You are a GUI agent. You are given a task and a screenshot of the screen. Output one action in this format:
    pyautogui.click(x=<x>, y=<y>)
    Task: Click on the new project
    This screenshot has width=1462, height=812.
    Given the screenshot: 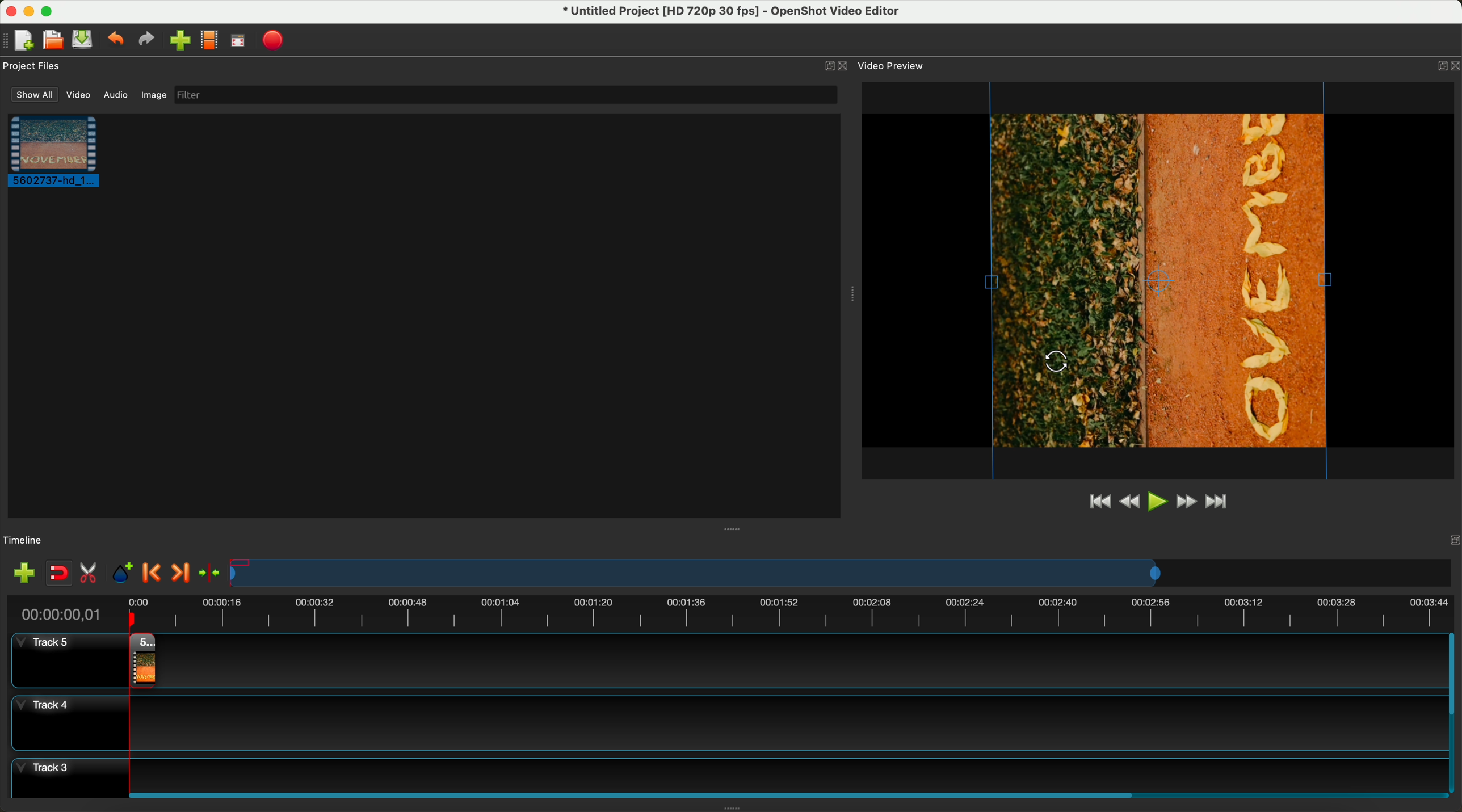 What is the action you would take?
    pyautogui.click(x=26, y=39)
    